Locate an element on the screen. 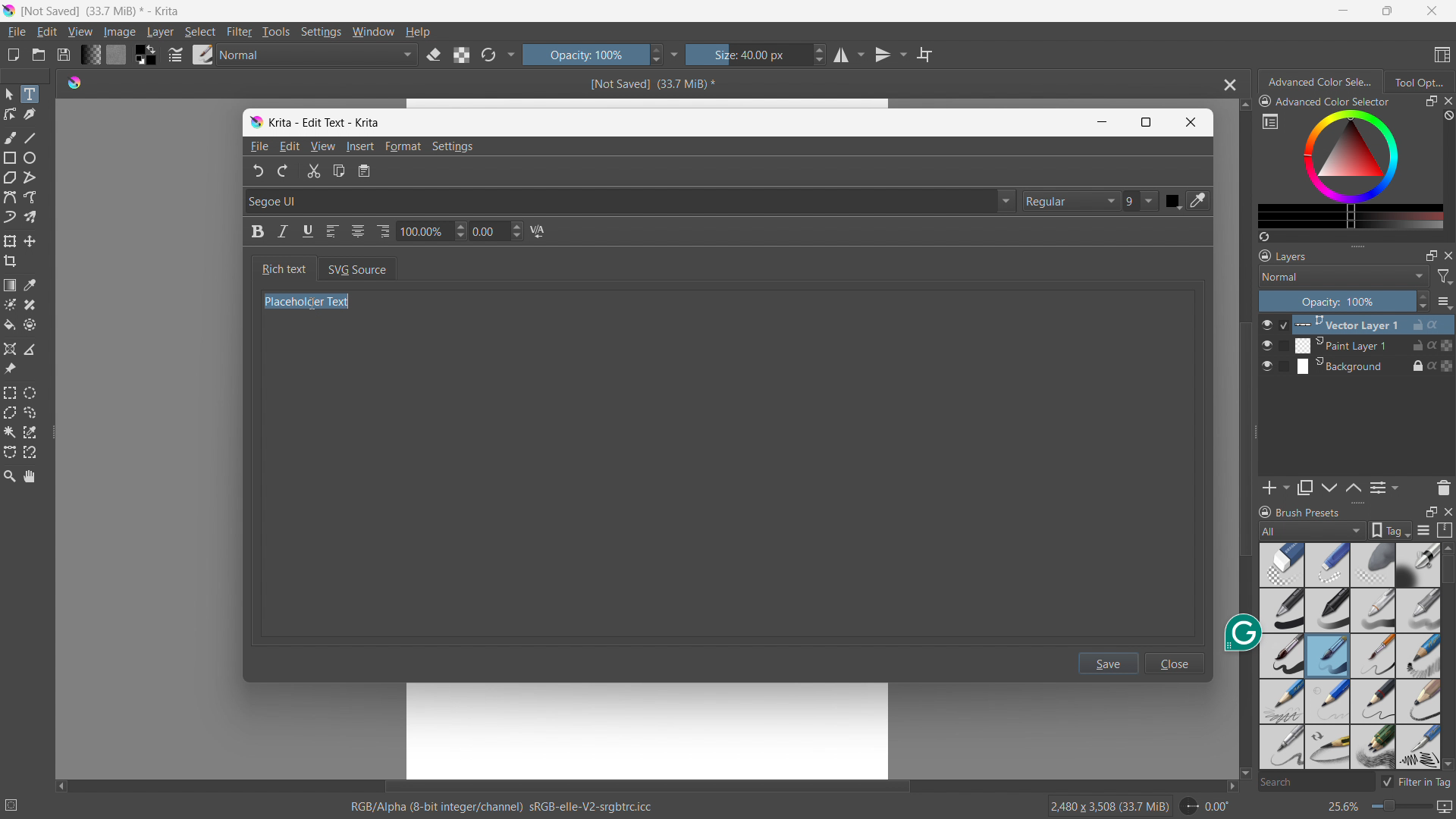 Image resolution: width=1456 pixels, height=819 pixels. Background is located at coordinates (1365, 366).